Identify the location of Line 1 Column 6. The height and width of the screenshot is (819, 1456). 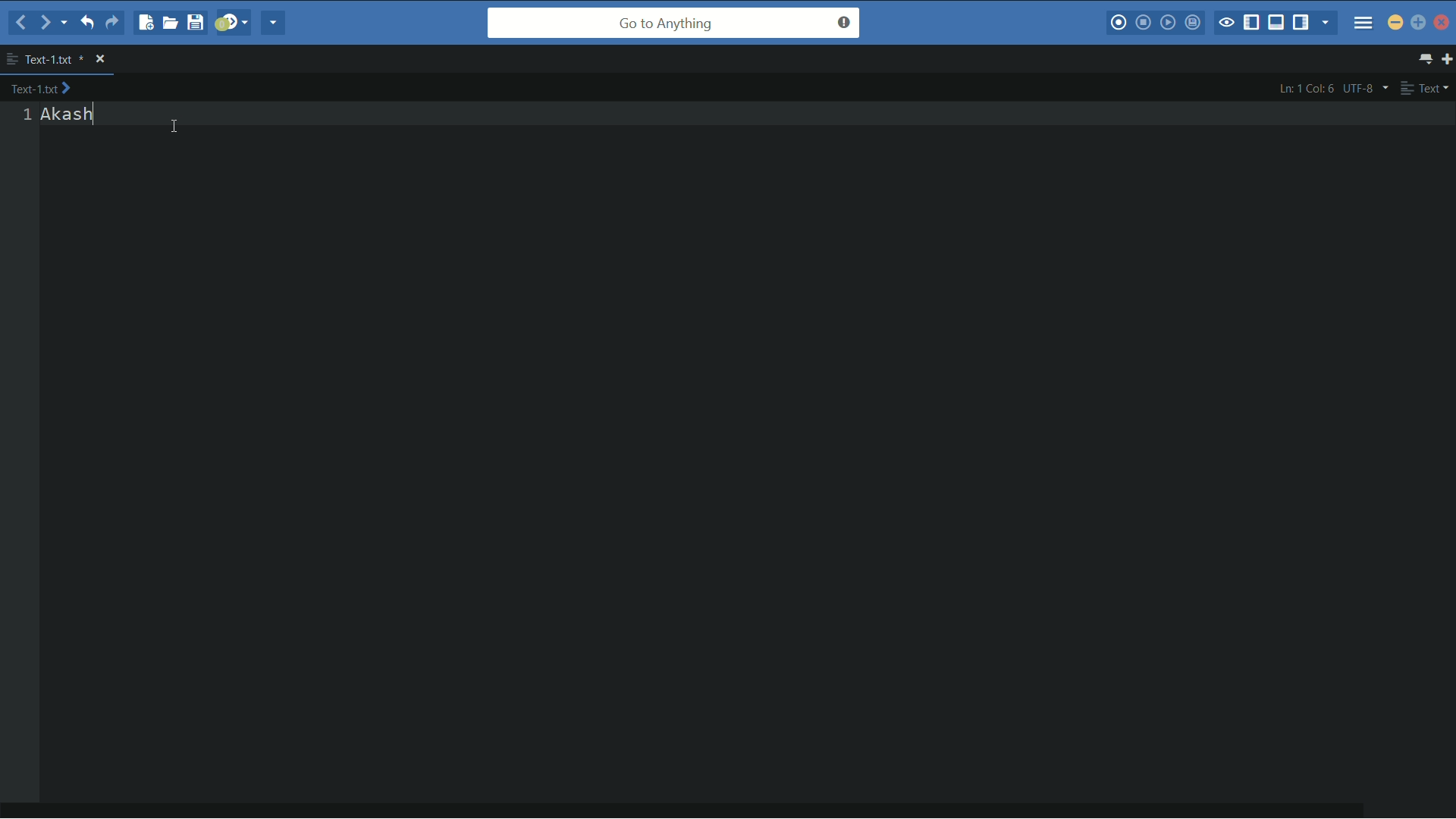
(1304, 88).